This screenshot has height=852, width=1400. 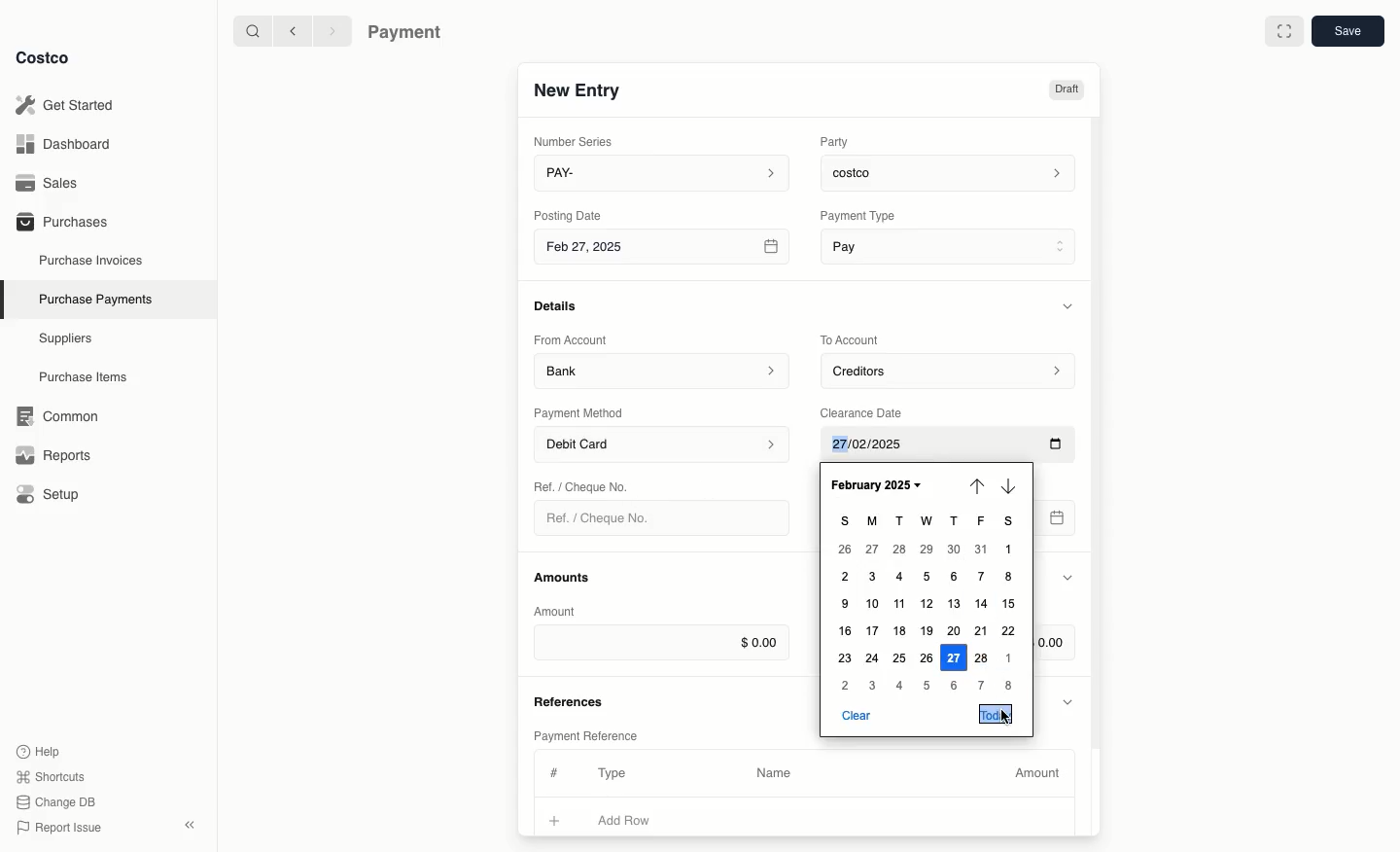 What do you see at coordinates (61, 221) in the screenshot?
I see `Purchases` at bounding box center [61, 221].